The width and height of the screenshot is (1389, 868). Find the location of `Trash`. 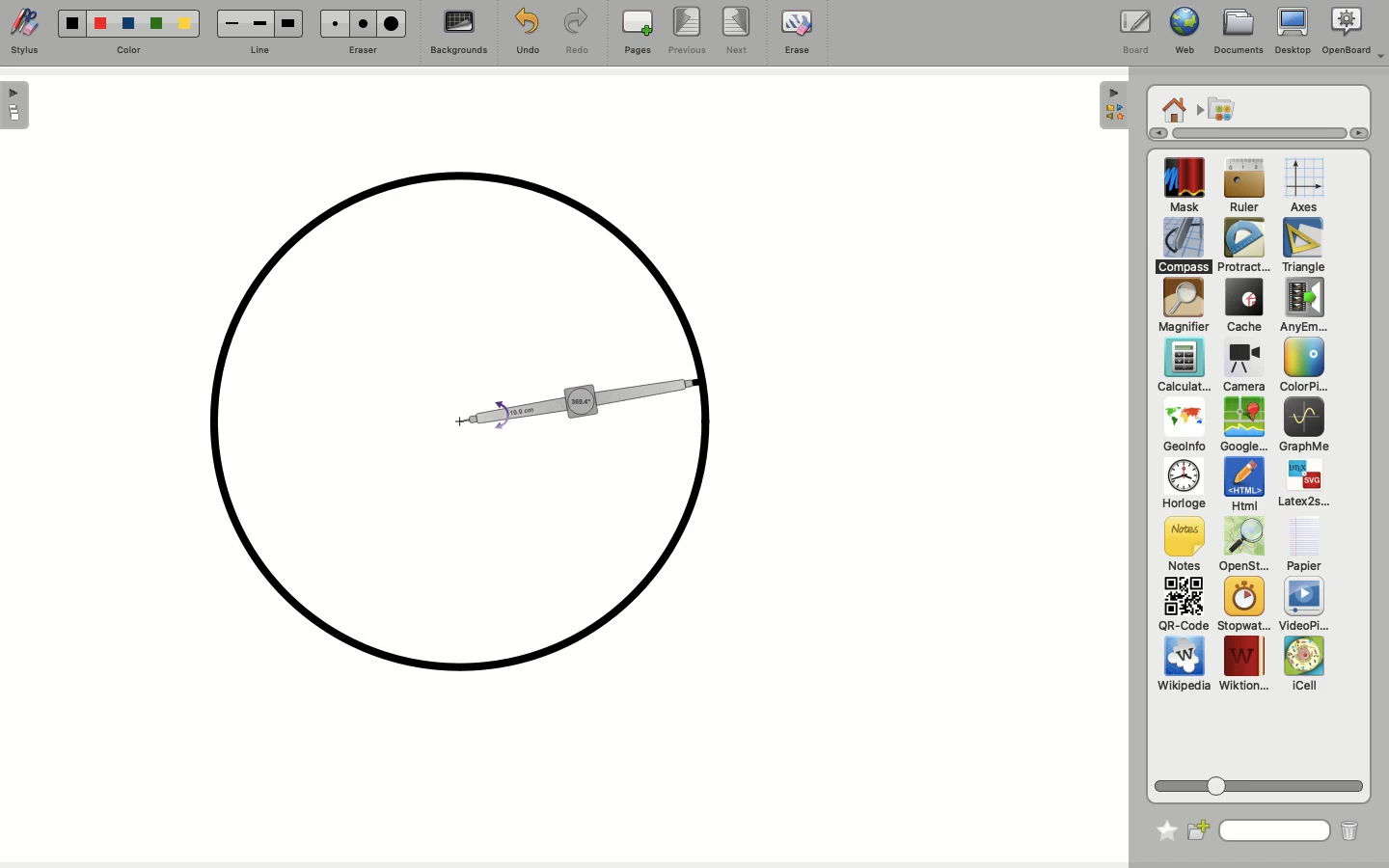

Trash is located at coordinates (1348, 830).